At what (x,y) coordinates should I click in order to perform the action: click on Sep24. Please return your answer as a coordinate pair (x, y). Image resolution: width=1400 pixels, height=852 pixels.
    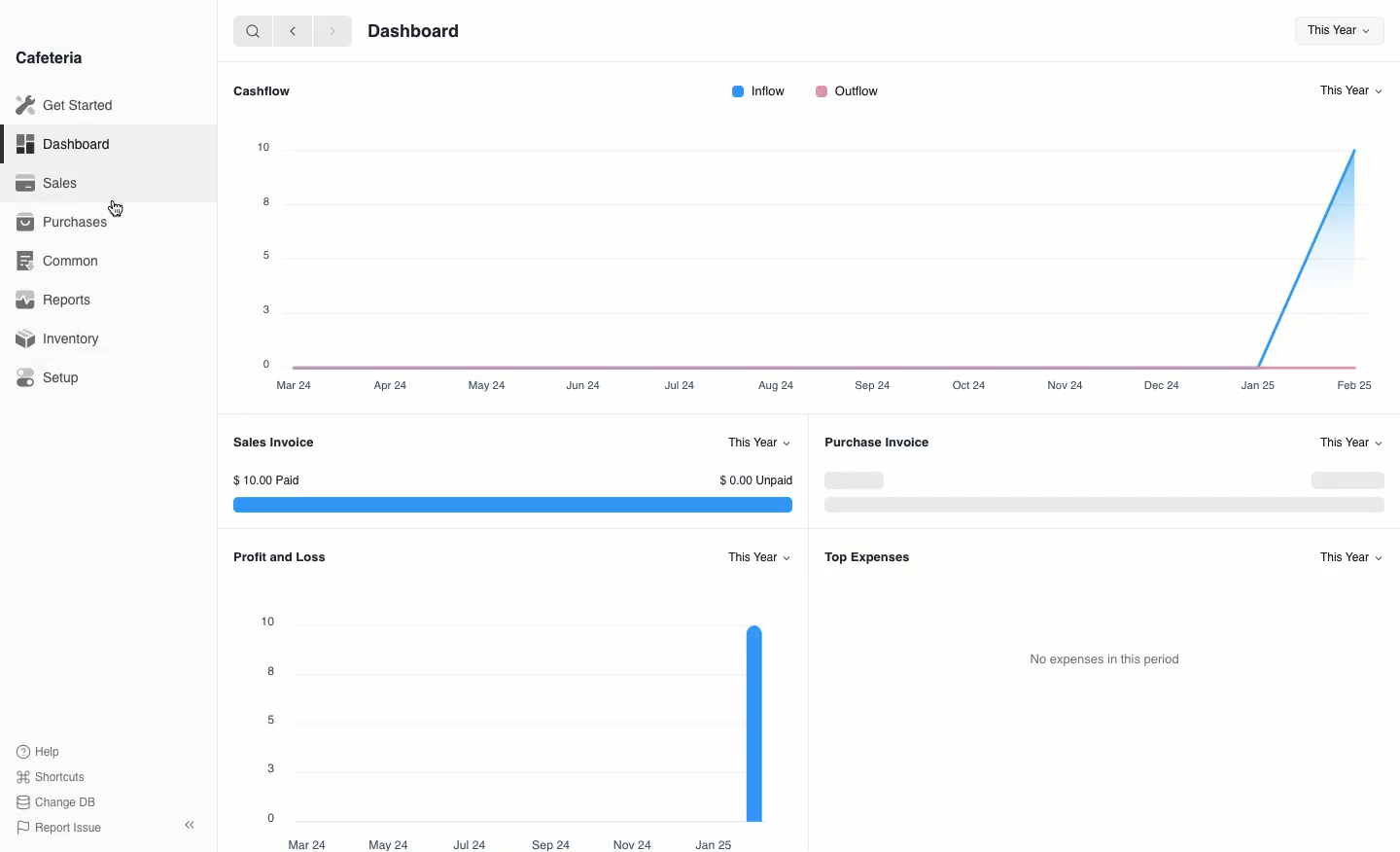
    Looking at the image, I should click on (874, 387).